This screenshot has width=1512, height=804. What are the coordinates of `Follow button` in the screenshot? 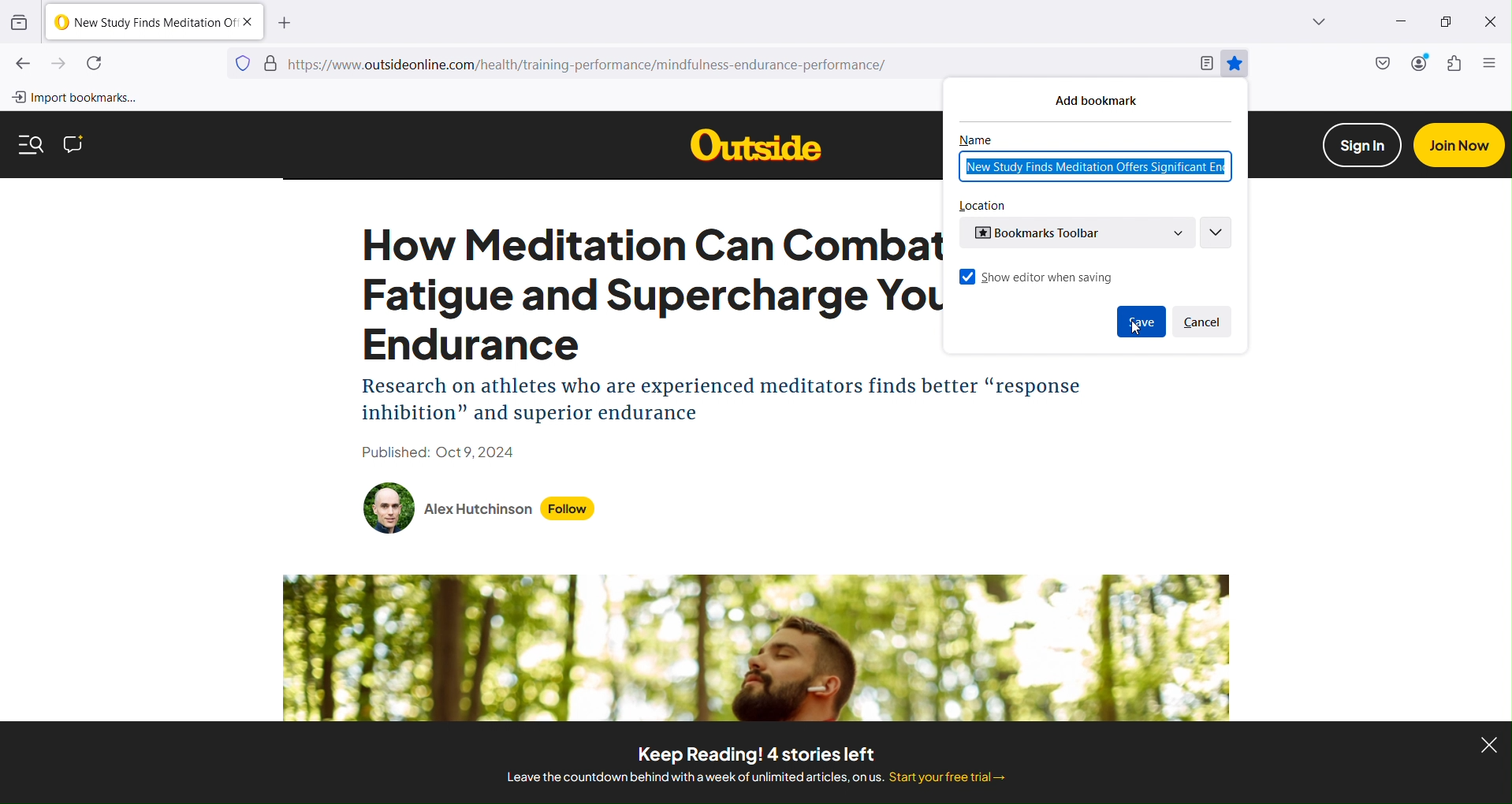 It's located at (568, 509).